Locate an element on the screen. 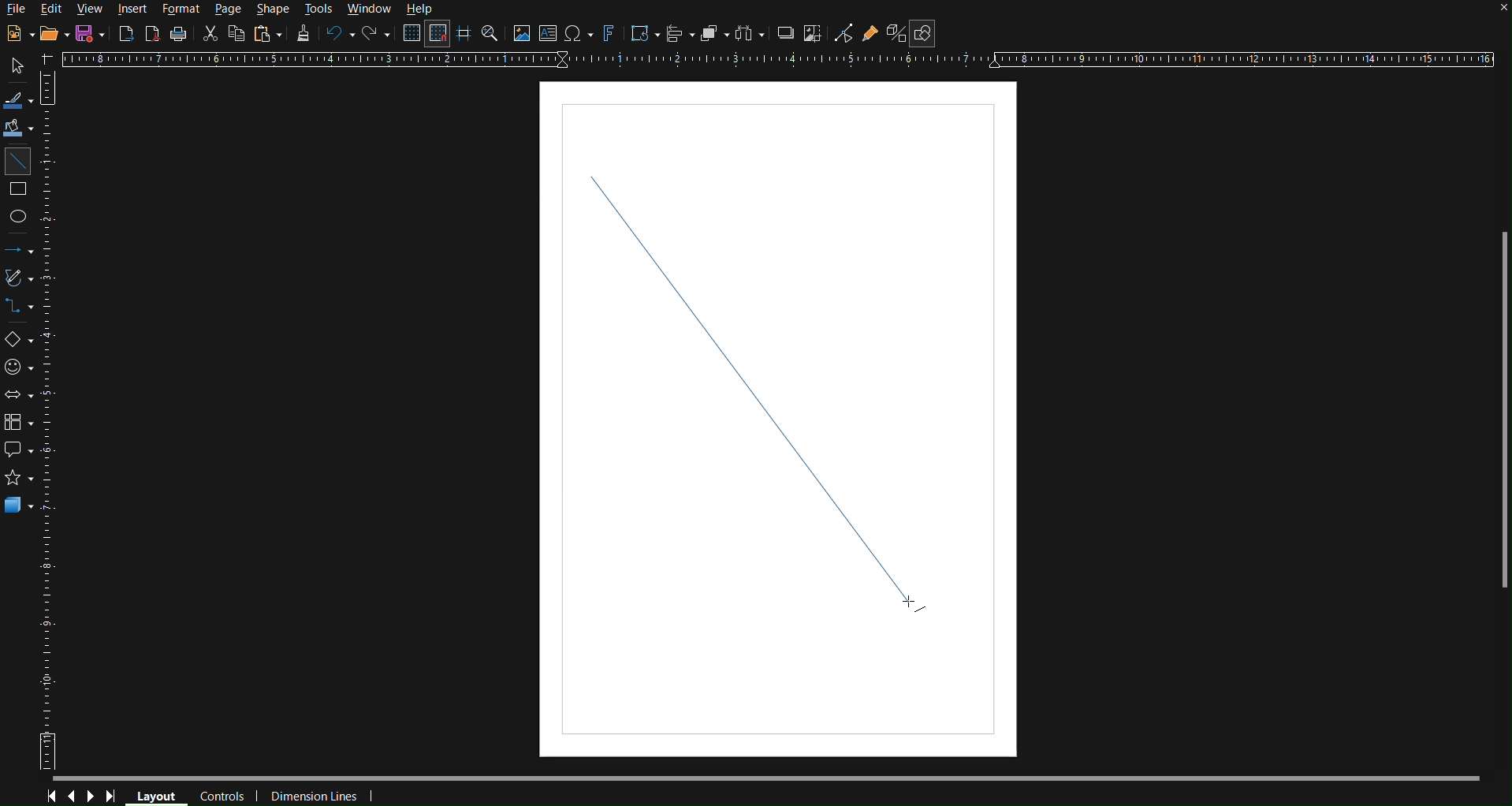 The image size is (1512, 806). Undo is located at coordinates (341, 34).